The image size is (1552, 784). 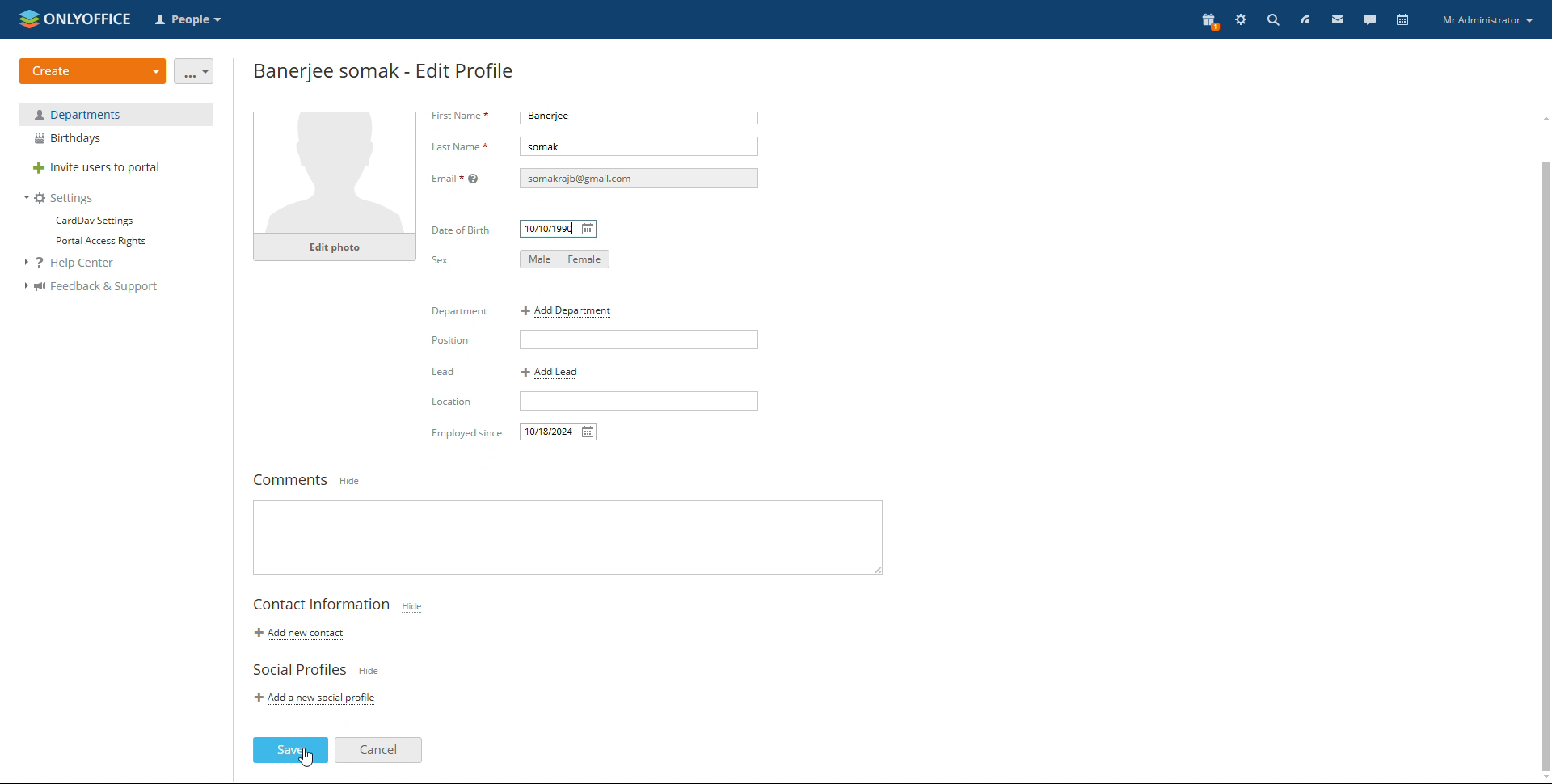 What do you see at coordinates (1273, 19) in the screenshot?
I see `search` at bounding box center [1273, 19].